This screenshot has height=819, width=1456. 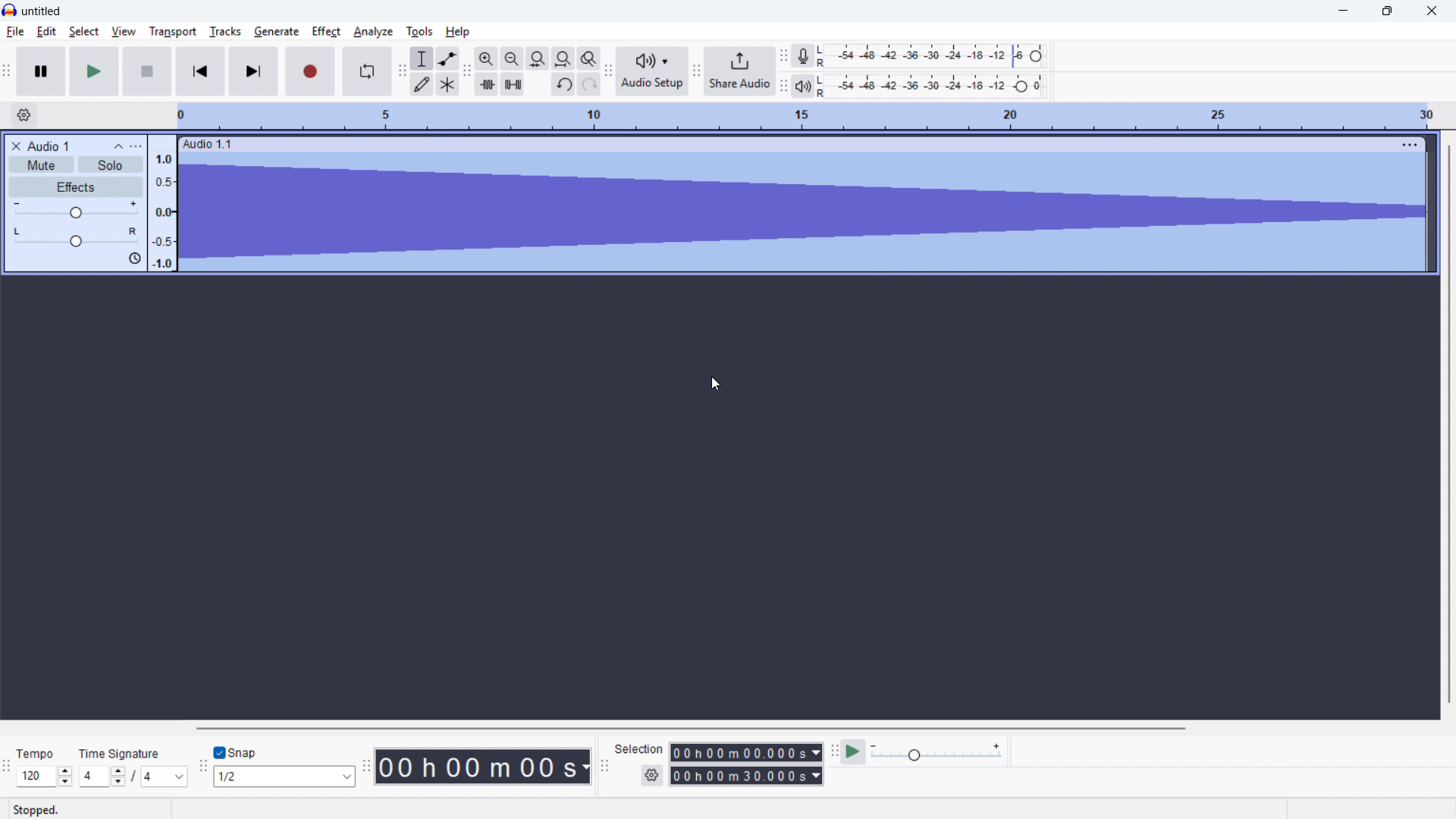 What do you see at coordinates (47, 32) in the screenshot?
I see `Edit ` at bounding box center [47, 32].